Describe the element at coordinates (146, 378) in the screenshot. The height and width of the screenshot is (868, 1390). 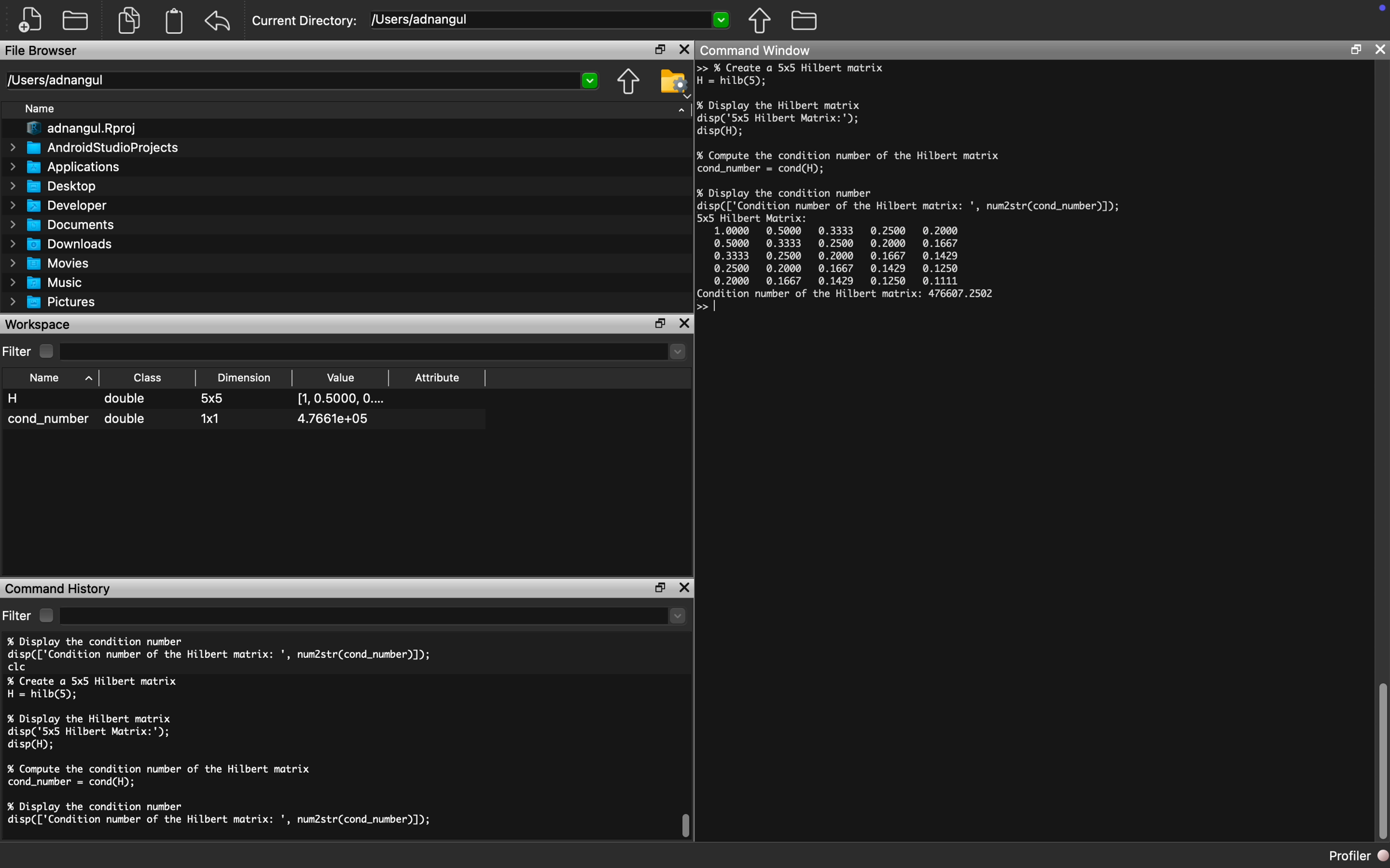
I see `Class` at that location.